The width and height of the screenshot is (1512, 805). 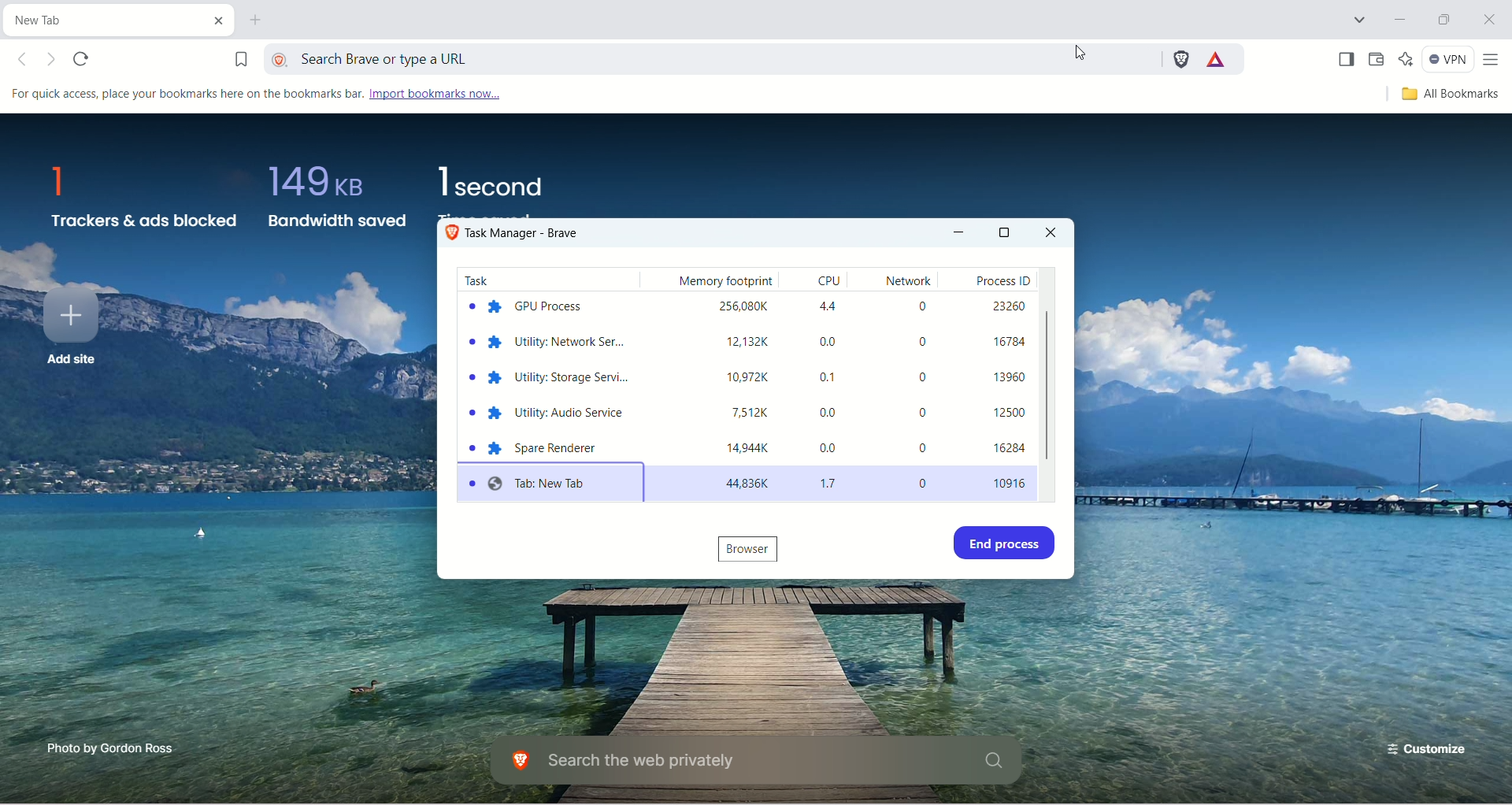 I want to click on cursor, so click(x=1080, y=52).